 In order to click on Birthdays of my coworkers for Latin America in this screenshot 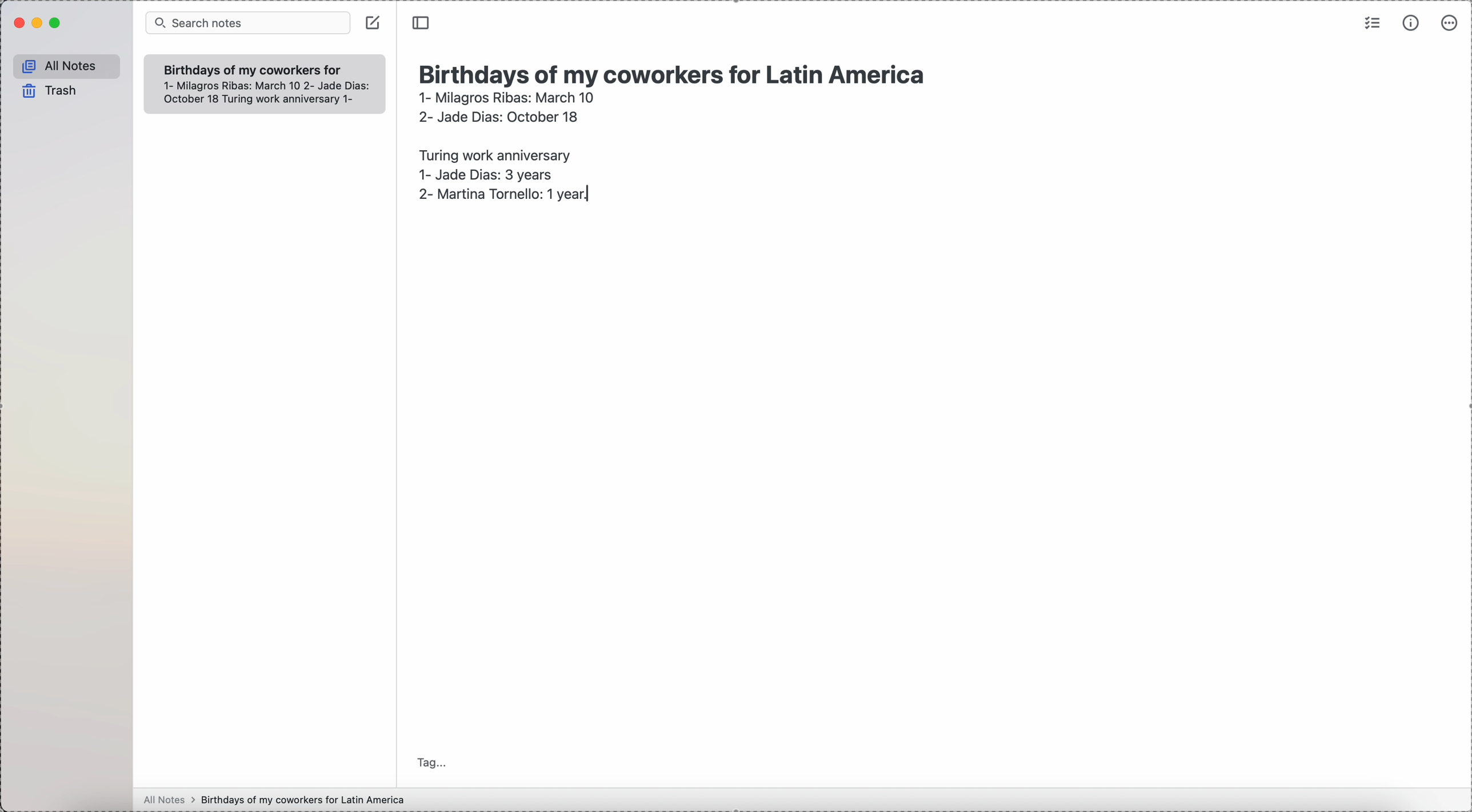, I will do `click(251, 69)`.